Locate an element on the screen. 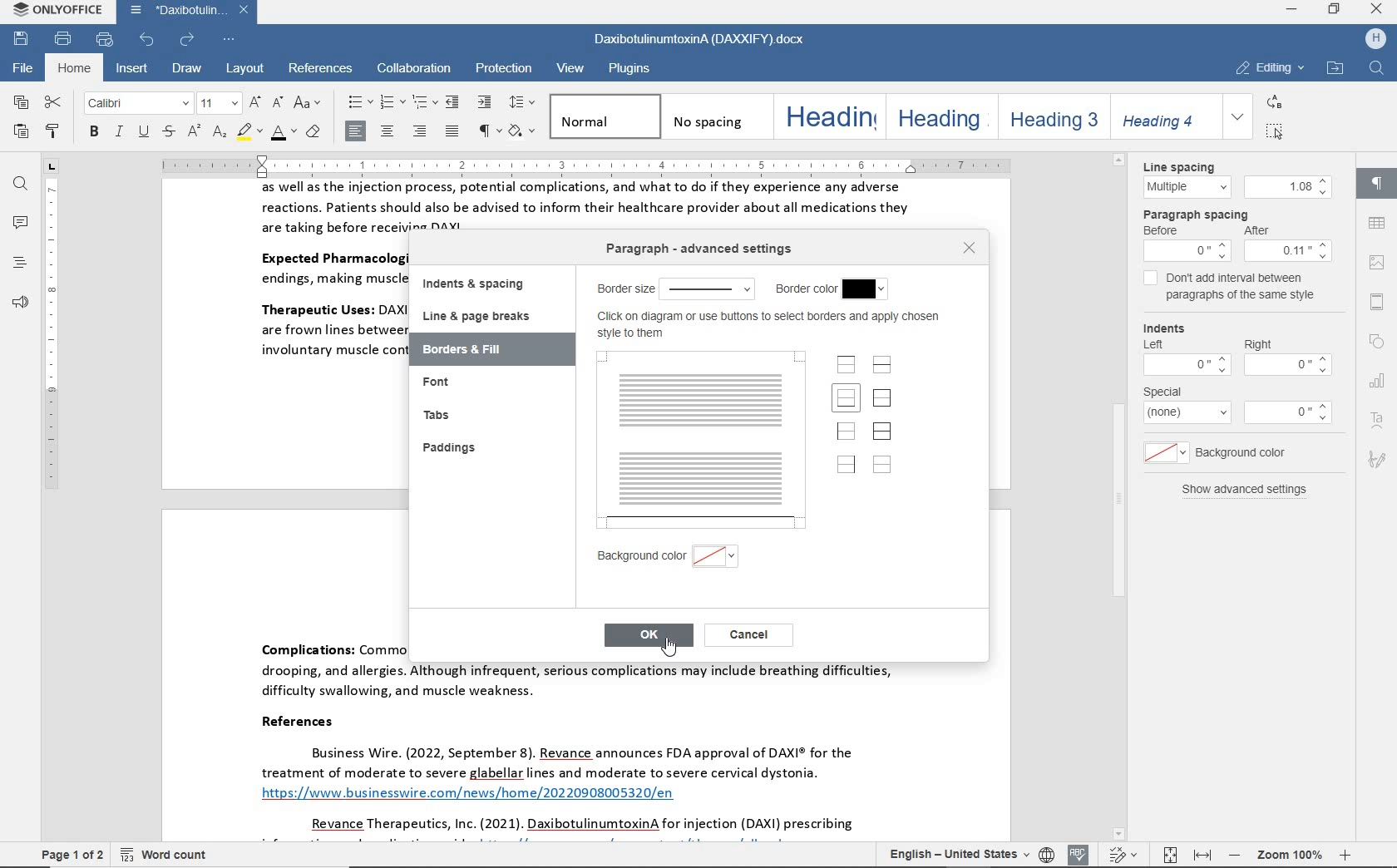 This screenshot has height=868, width=1397. set horizontal inner lines only is located at coordinates (881, 364).